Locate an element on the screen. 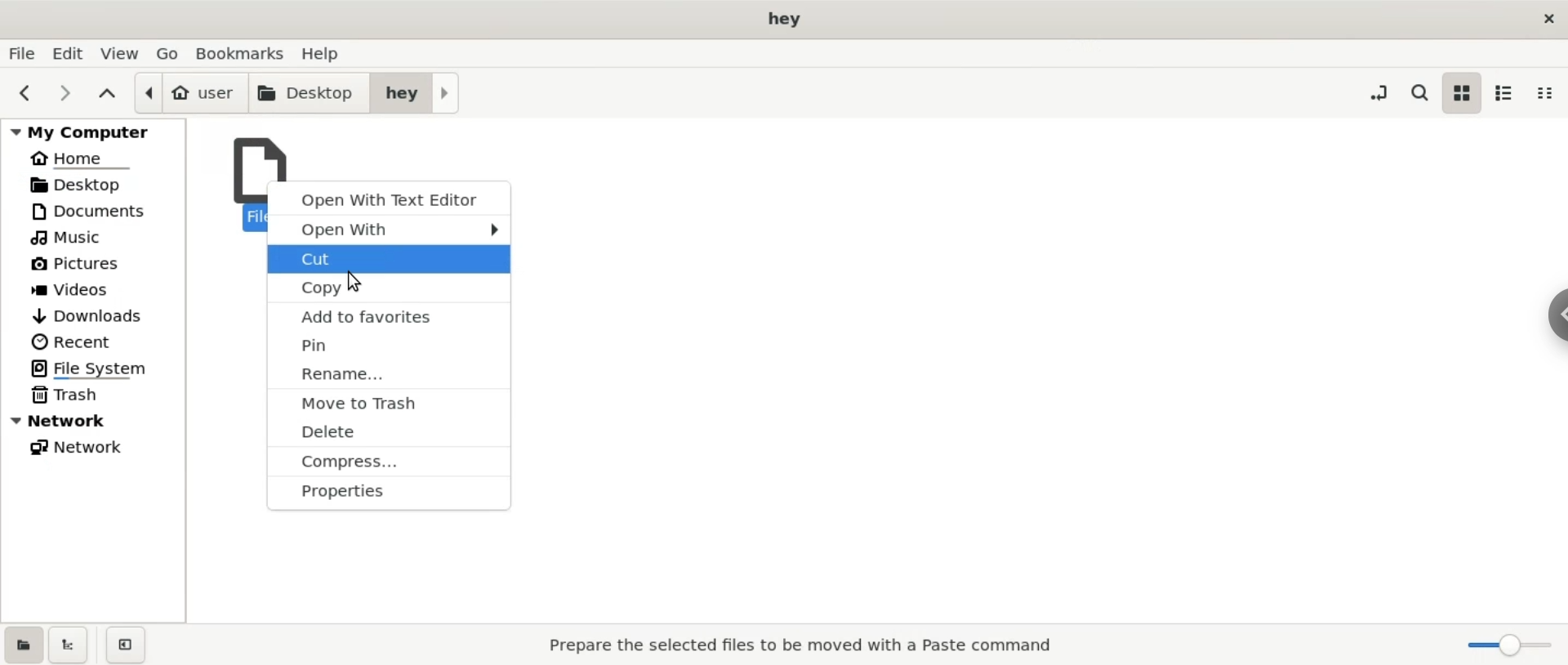 The image size is (1568, 665). show places is located at coordinates (23, 644).